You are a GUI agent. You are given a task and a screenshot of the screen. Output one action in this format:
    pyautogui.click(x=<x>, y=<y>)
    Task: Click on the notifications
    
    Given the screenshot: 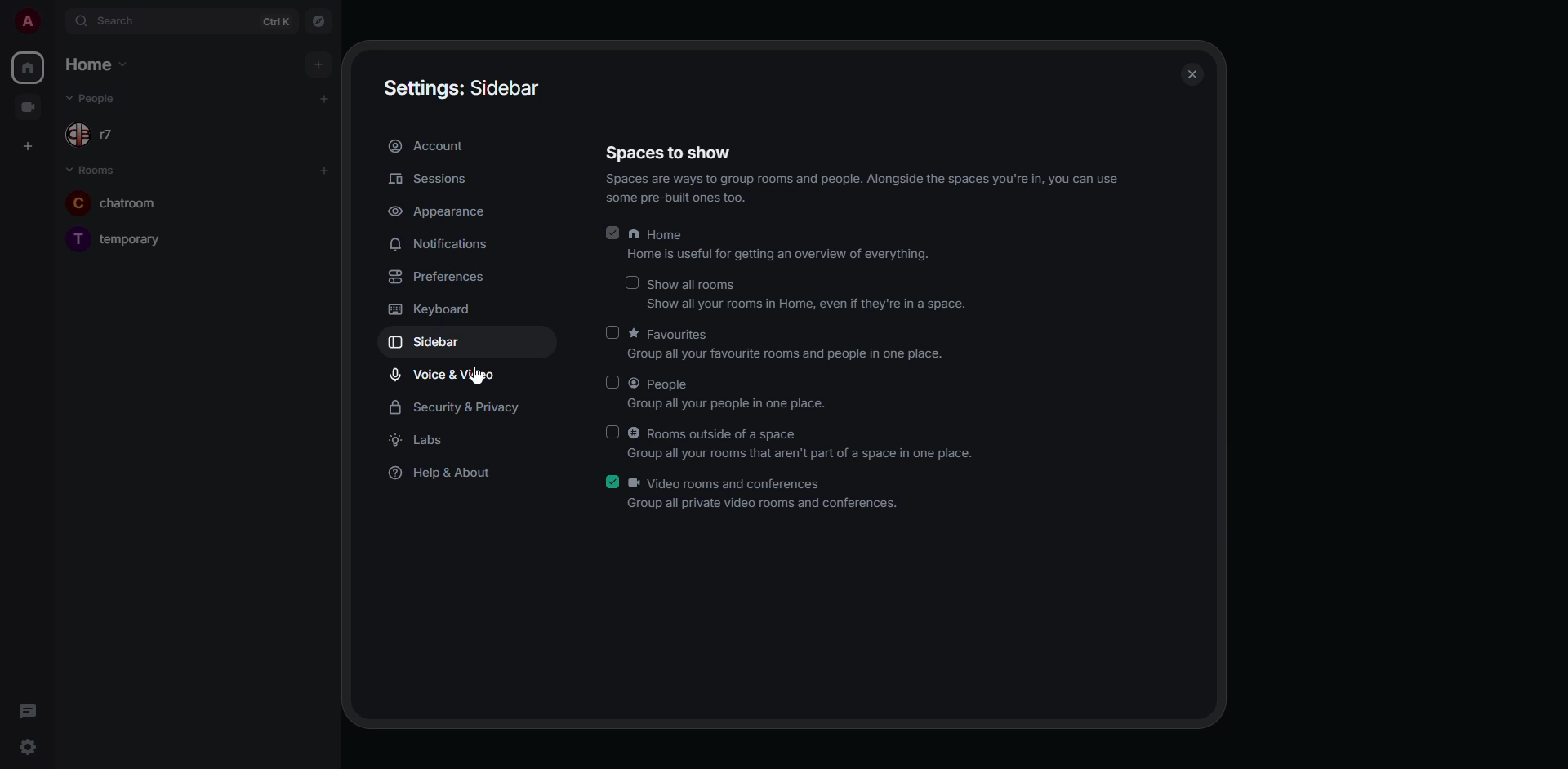 What is the action you would take?
    pyautogui.click(x=441, y=243)
    